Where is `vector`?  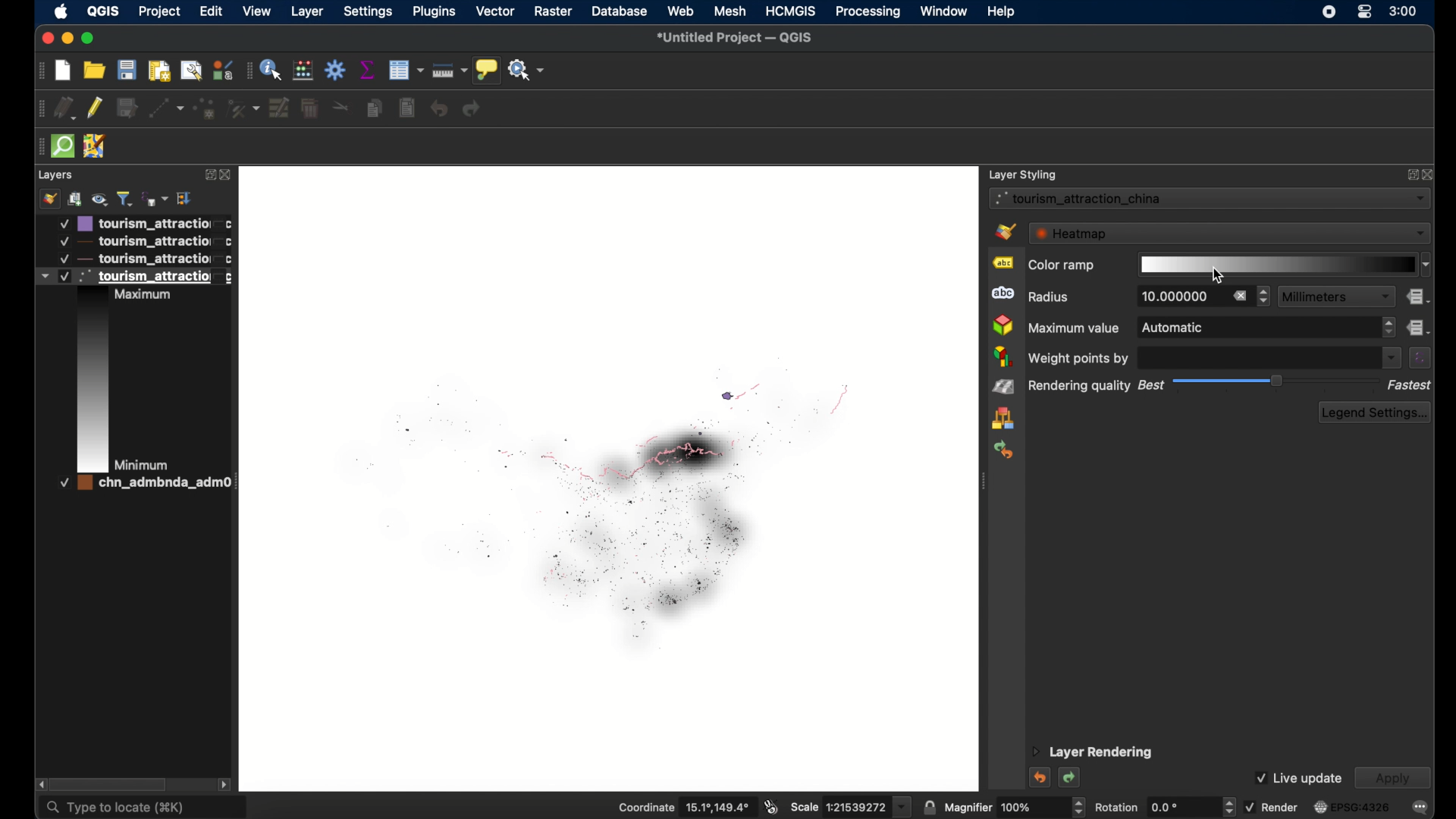 vector is located at coordinates (496, 11).